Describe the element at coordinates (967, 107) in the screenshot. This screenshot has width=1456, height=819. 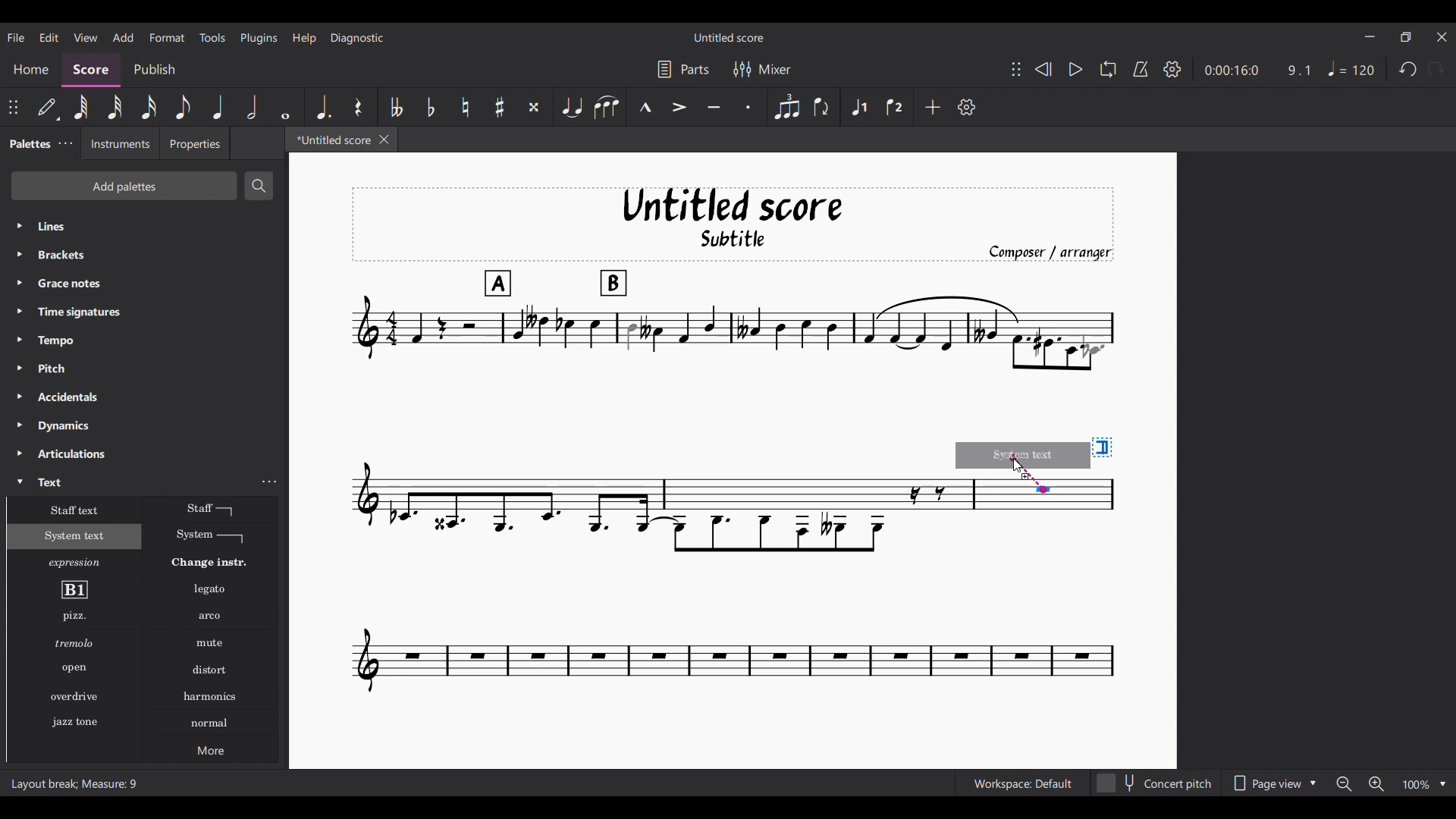
I see `Customize settings` at that location.